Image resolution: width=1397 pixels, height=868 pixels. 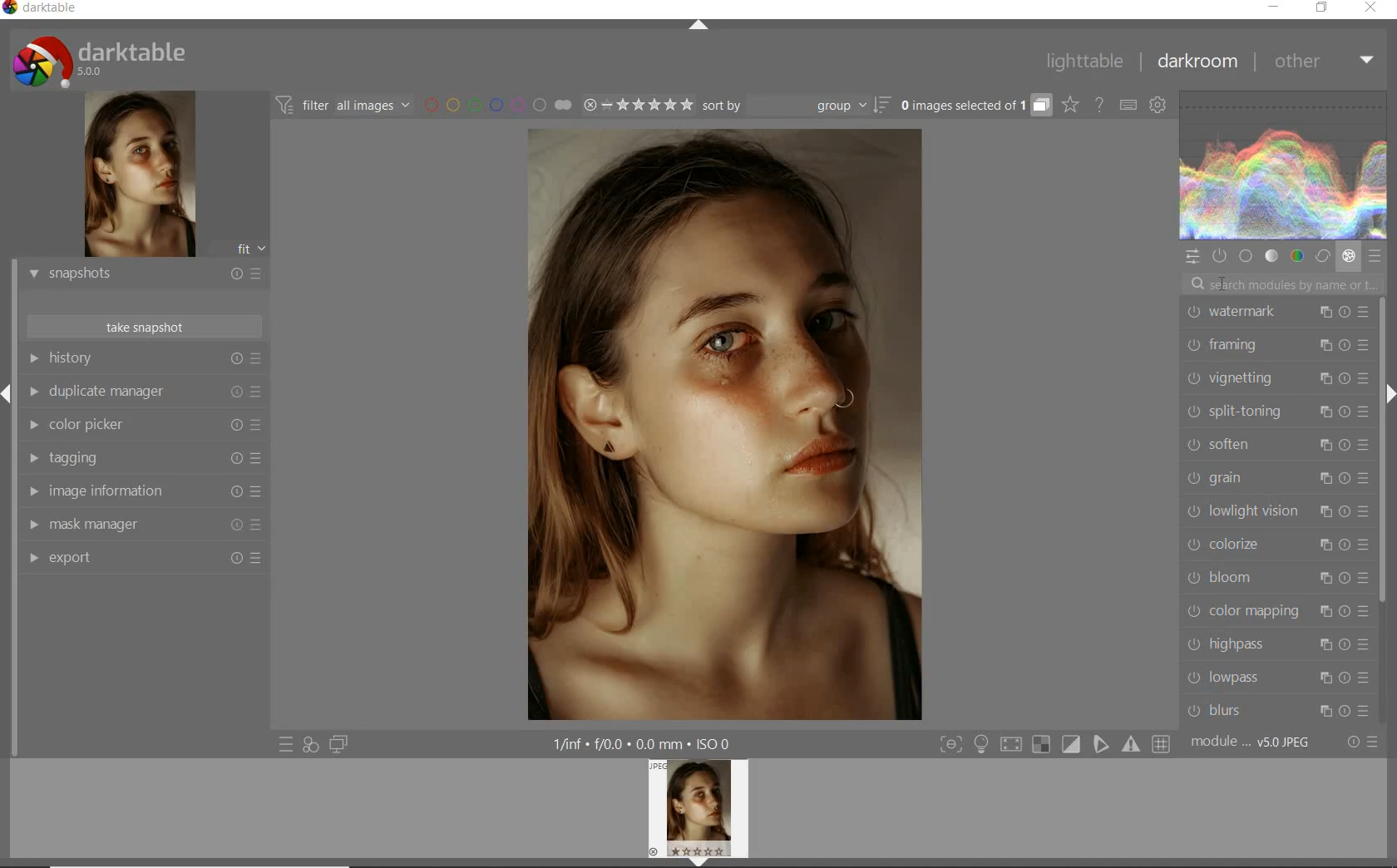 What do you see at coordinates (1088, 60) in the screenshot?
I see `lighttable` at bounding box center [1088, 60].